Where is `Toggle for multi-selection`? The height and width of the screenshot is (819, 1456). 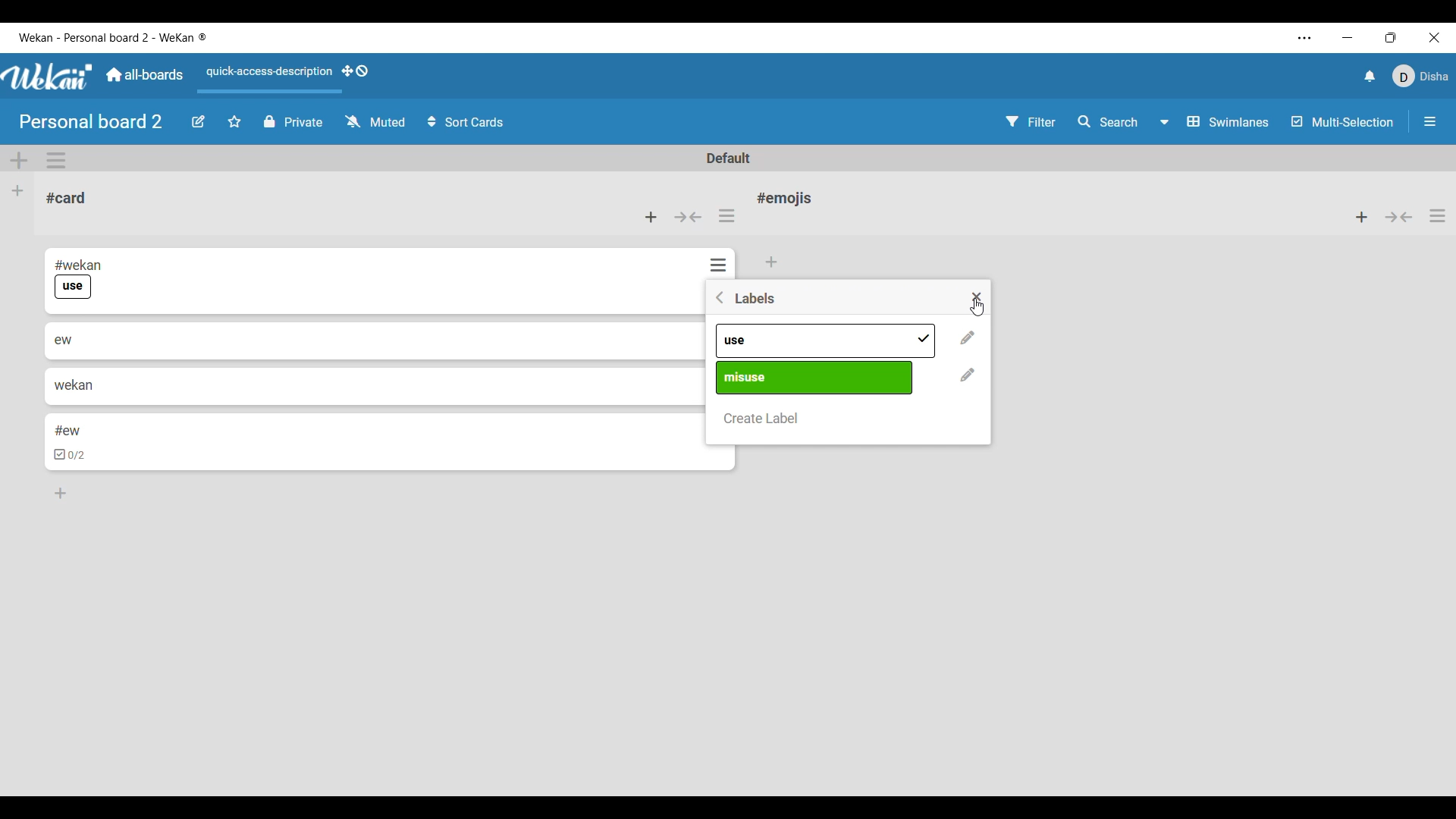
Toggle for multi-selection is located at coordinates (1343, 121).